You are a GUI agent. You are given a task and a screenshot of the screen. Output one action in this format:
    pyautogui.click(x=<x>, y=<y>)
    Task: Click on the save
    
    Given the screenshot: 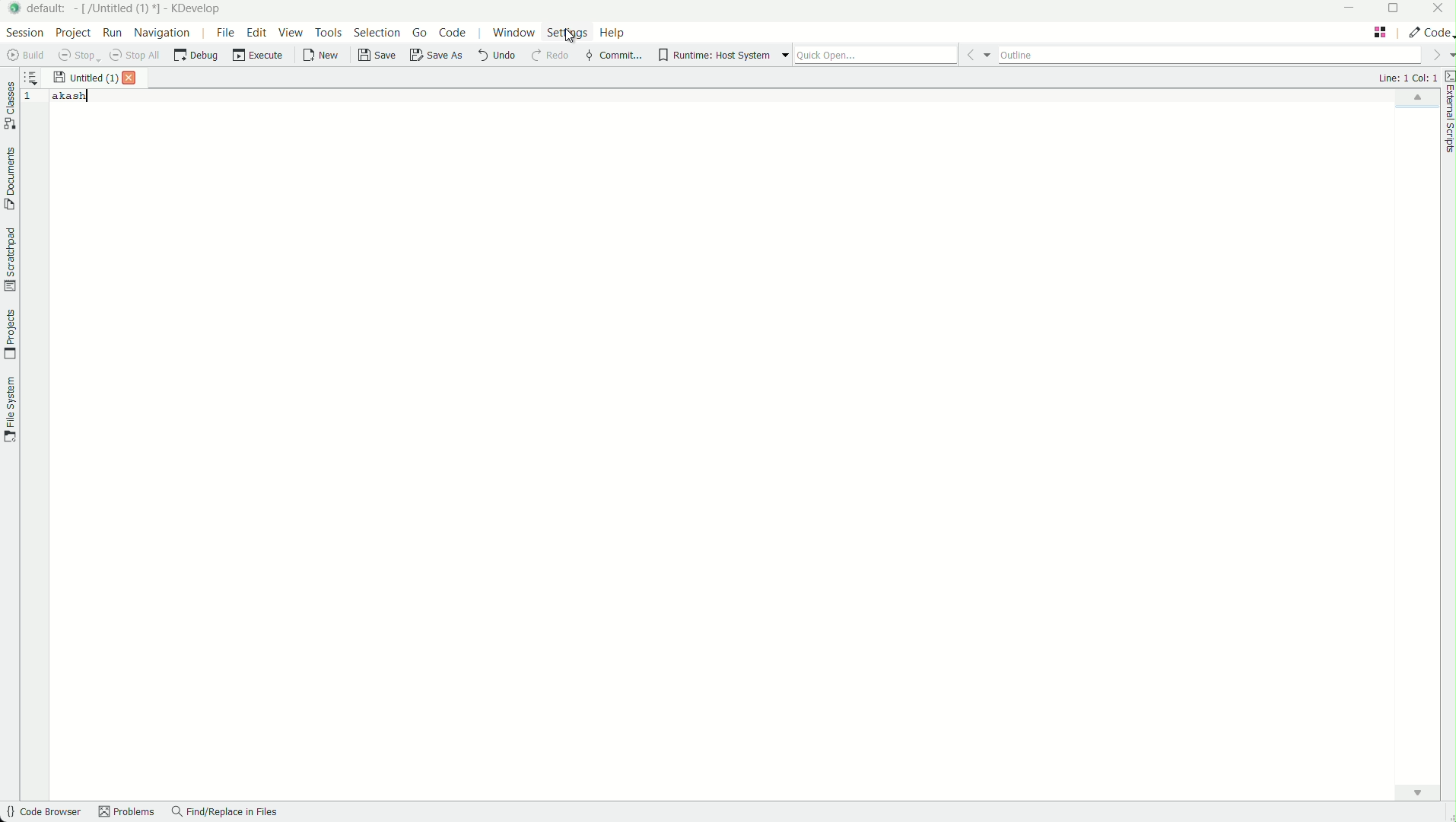 What is the action you would take?
    pyautogui.click(x=378, y=56)
    